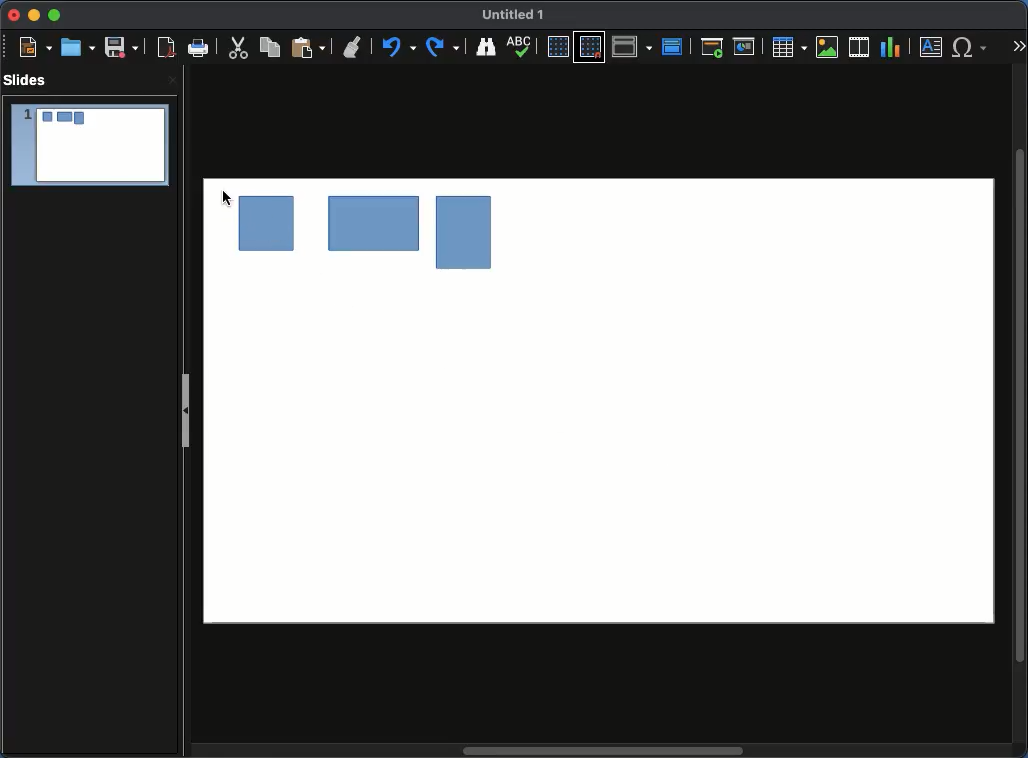 Image resolution: width=1028 pixels, height=758 pixels. Describe the element at coordinates (827, 47) in the screenshot. I see `Insert image` at that location.